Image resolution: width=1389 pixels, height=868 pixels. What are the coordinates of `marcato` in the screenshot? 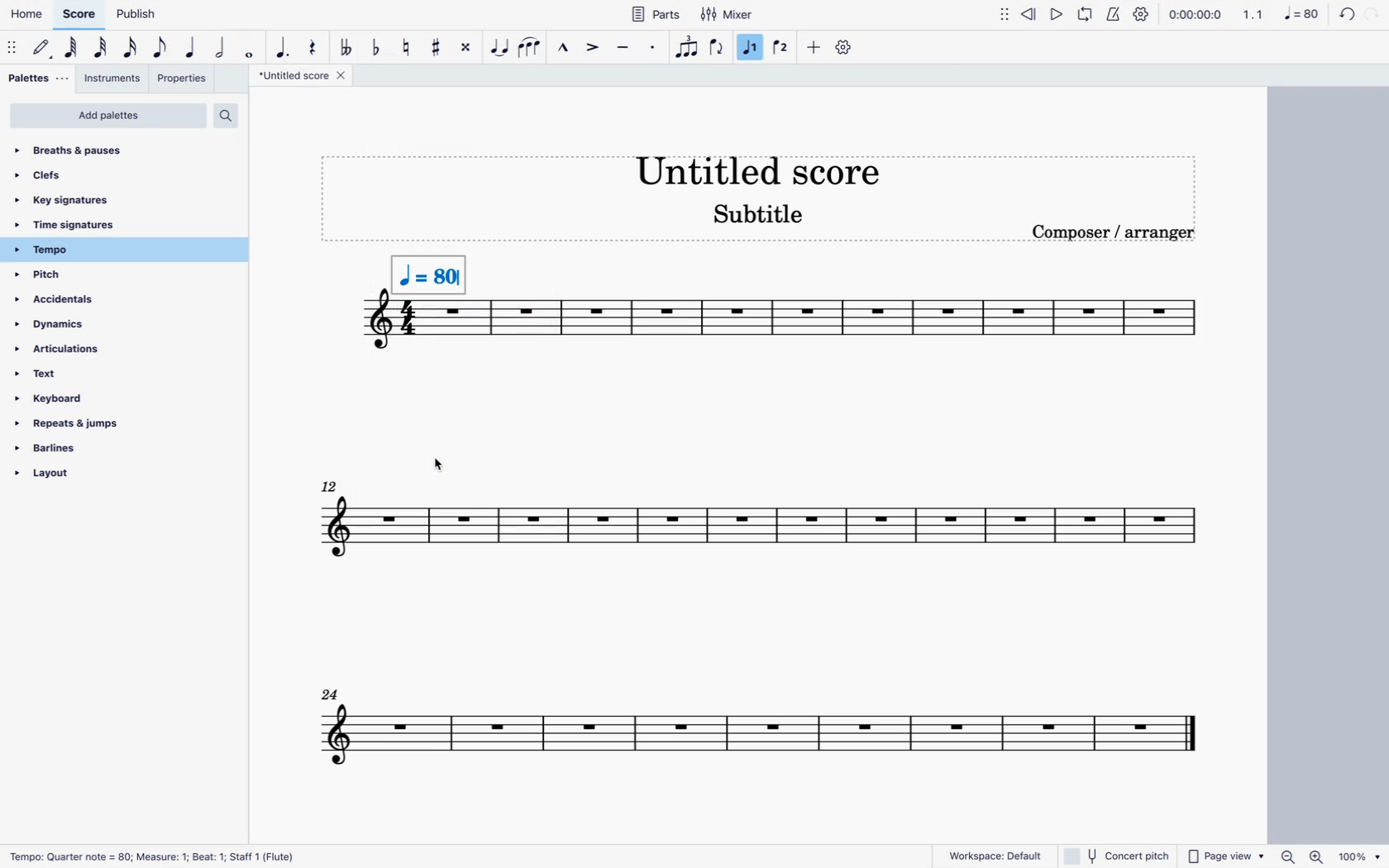 It's located at (563, 49).